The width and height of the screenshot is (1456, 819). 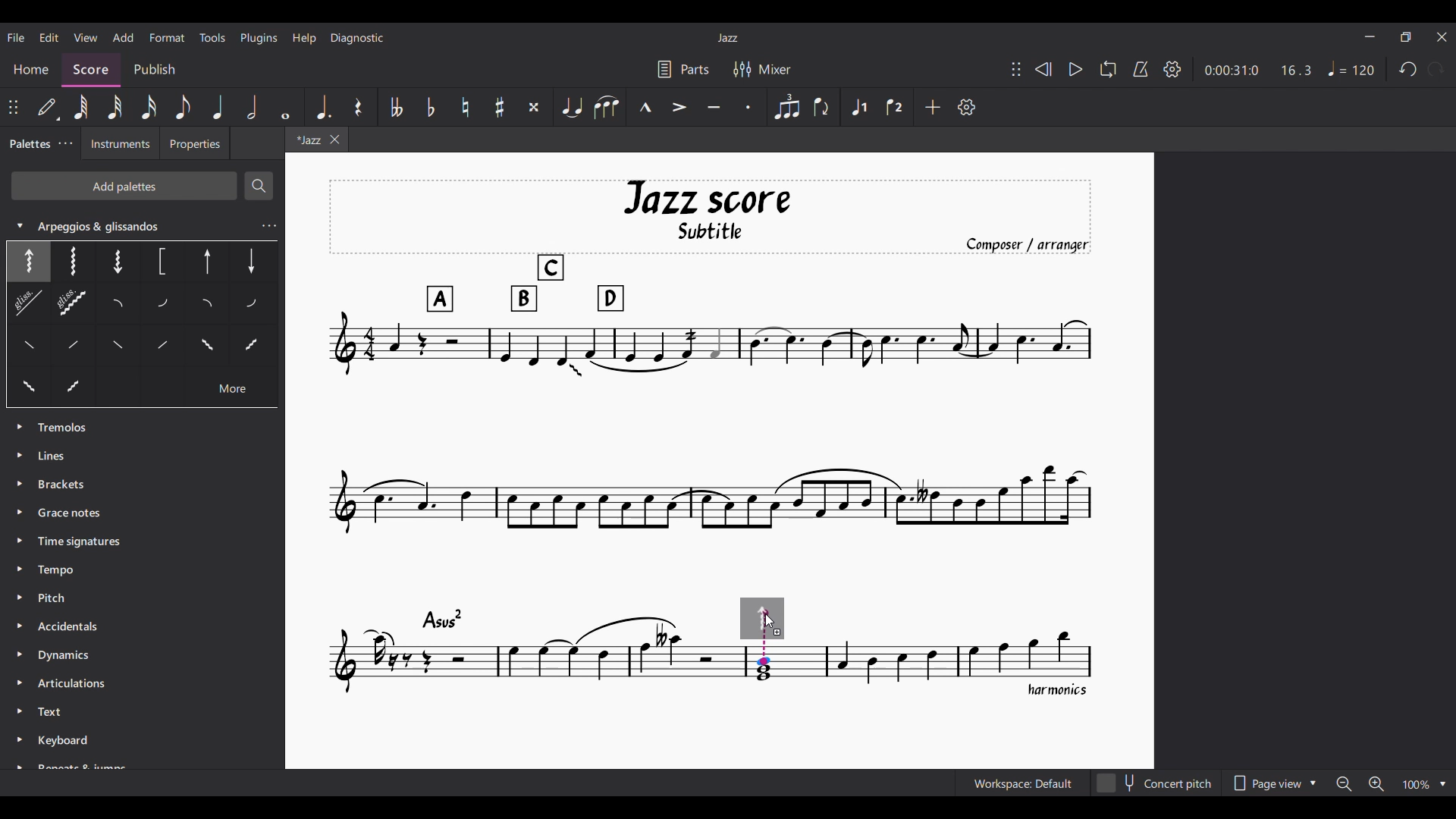 I want to click on Current tab, so click(x=306, y=140).